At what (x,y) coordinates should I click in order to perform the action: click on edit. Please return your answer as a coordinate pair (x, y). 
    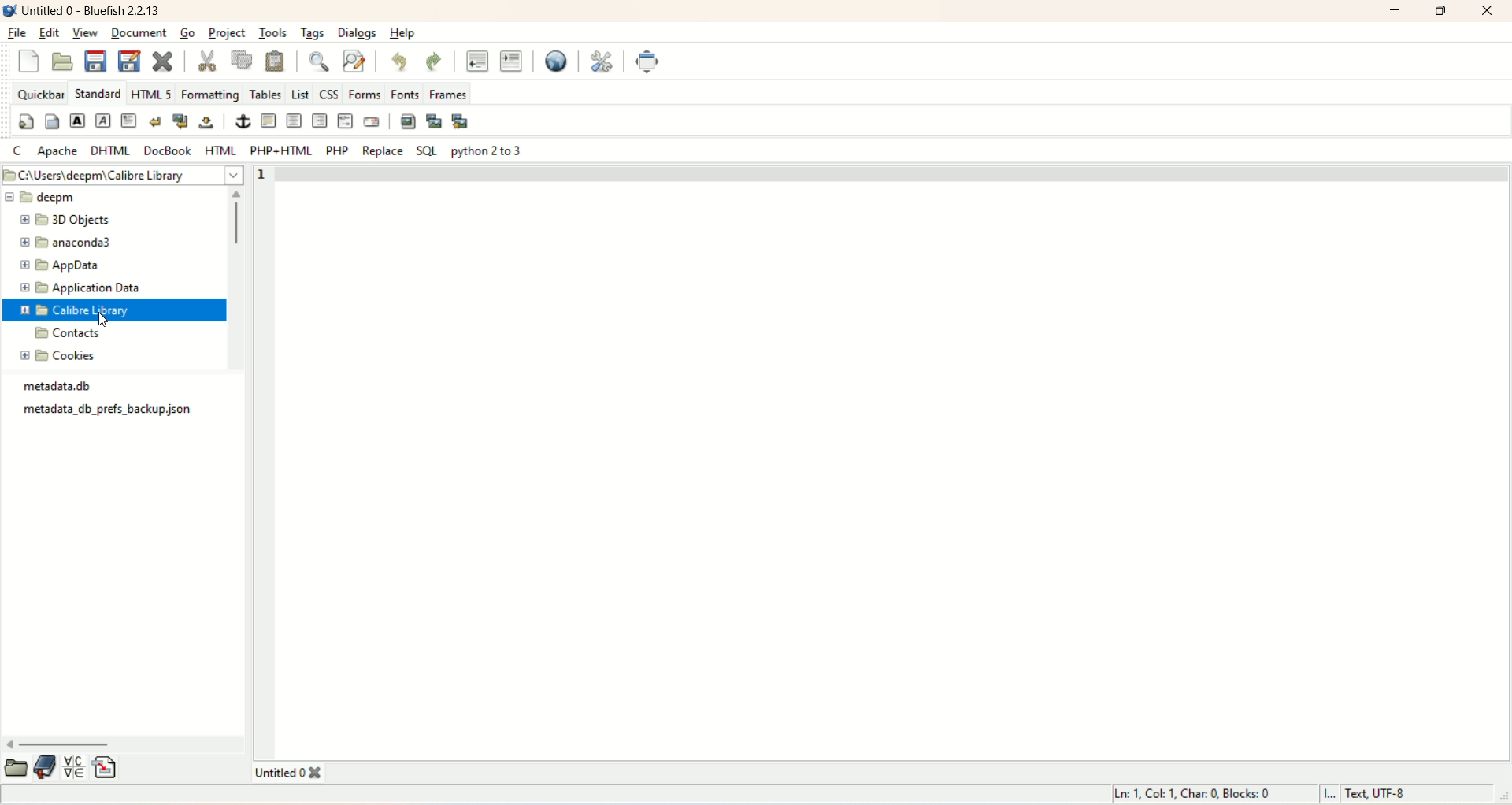
    Looking at the image, I should click on (48, 33).